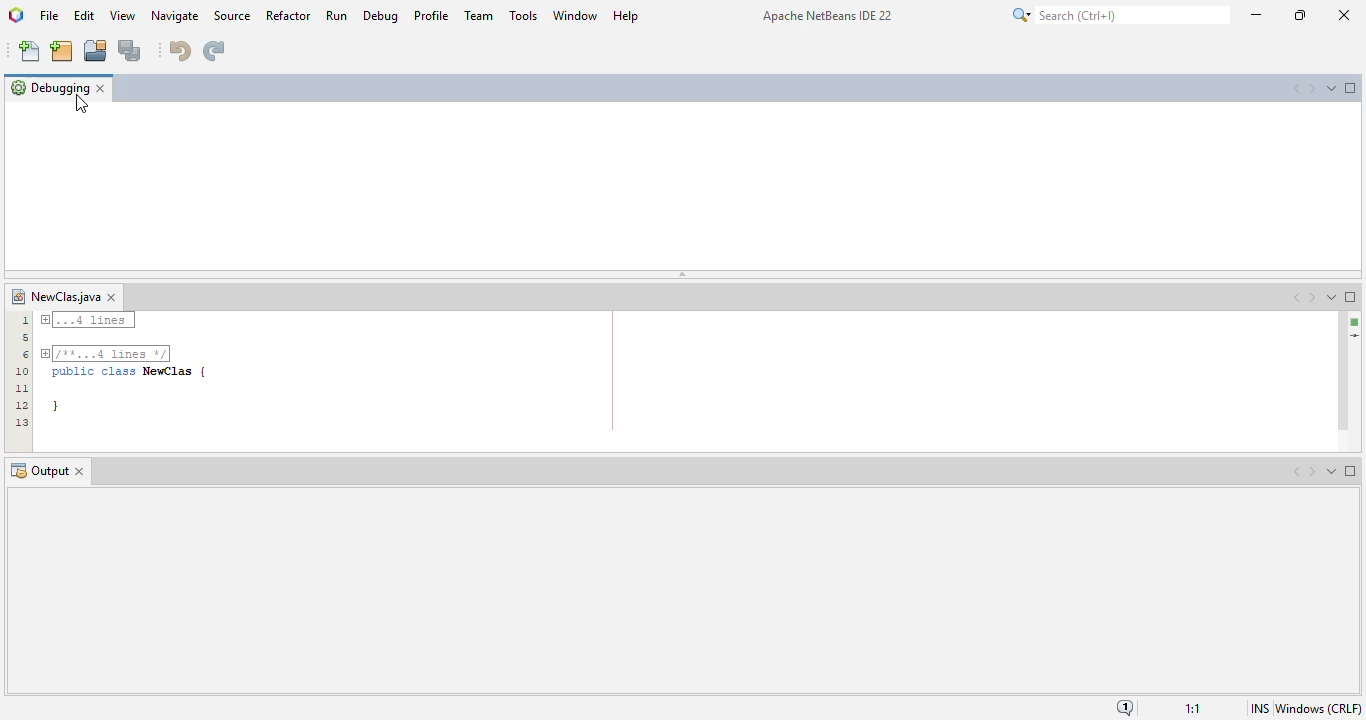 The image size is (1366, 720). What do you see at coordinates (683, 184) in the screenshot?
I see `debugging window` at bounding box center [683, 184].